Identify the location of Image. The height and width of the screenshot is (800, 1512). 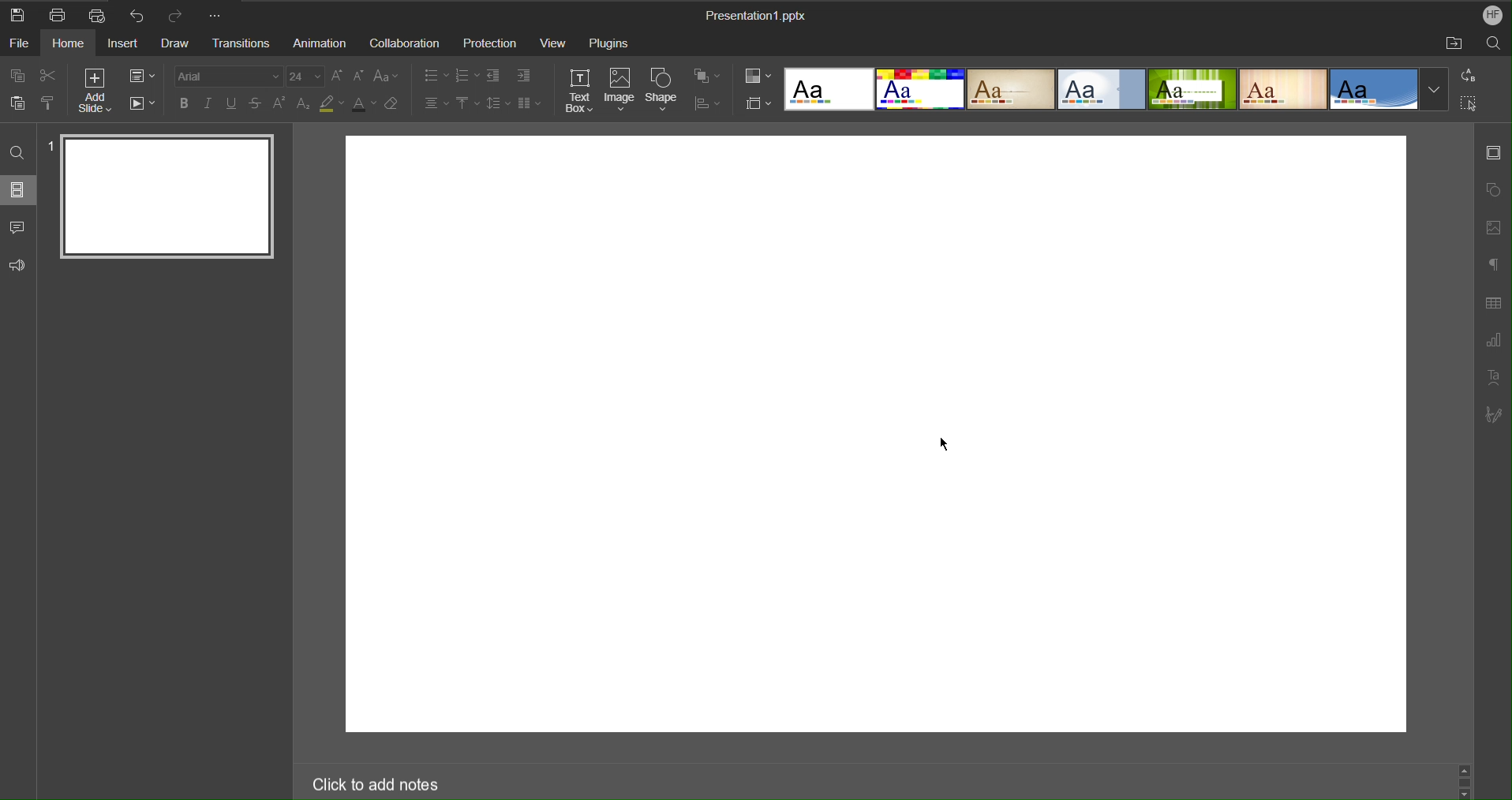
(620, 91).